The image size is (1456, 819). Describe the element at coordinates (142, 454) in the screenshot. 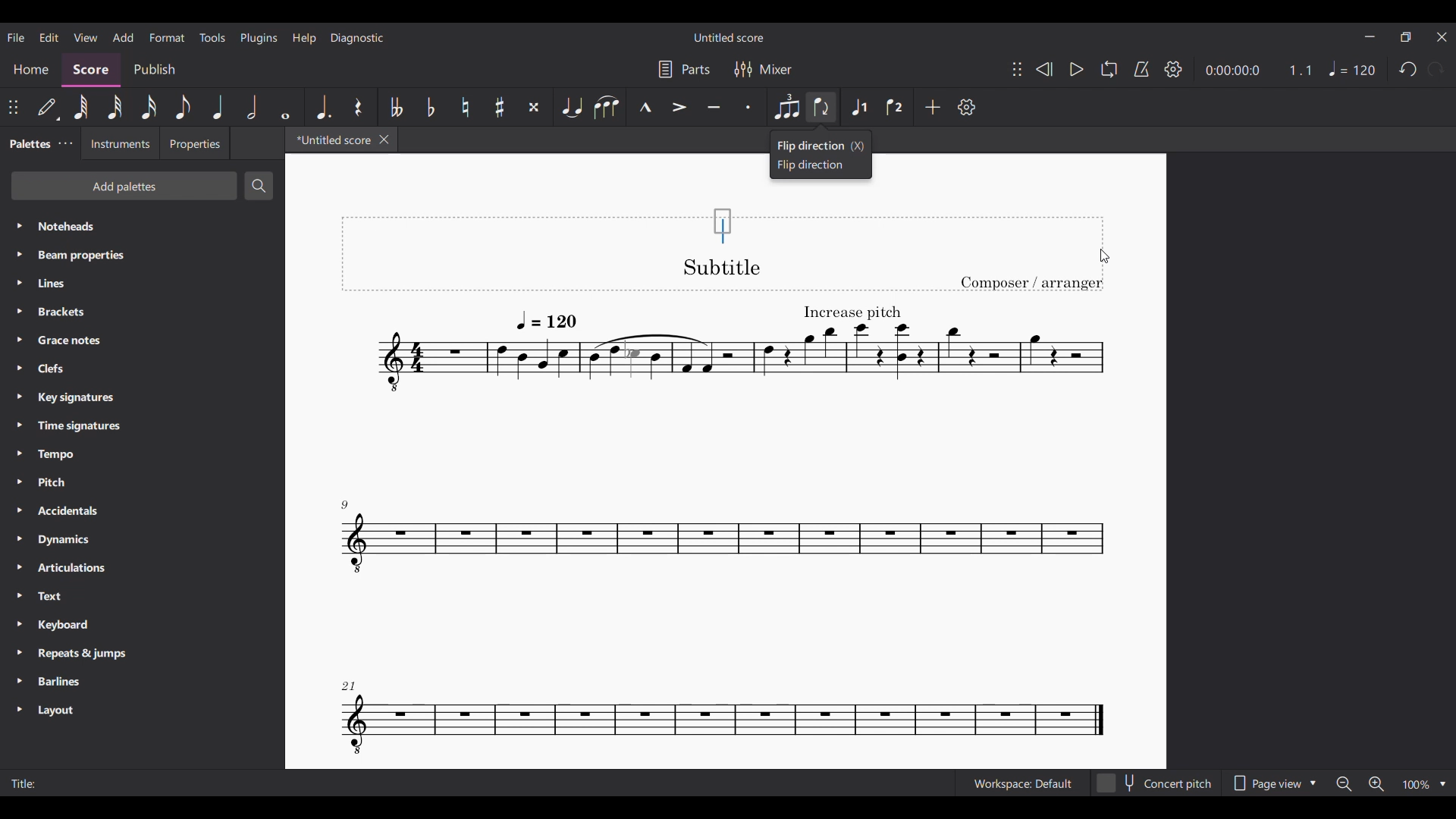

I see `Tempo` at that location.